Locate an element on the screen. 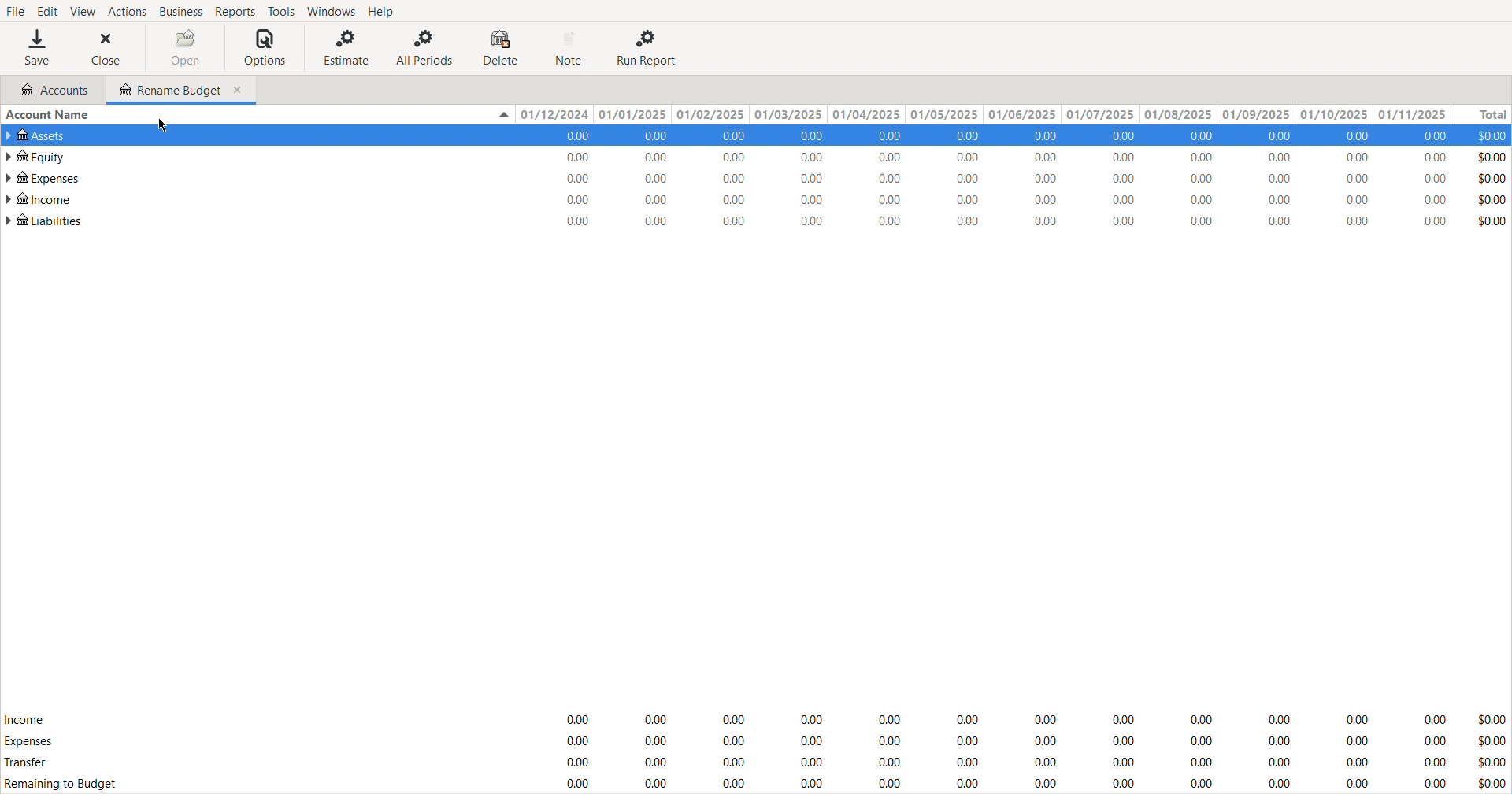 This screenshot has width=1512, height=794. All Periods is located at coordinates (426, 47).